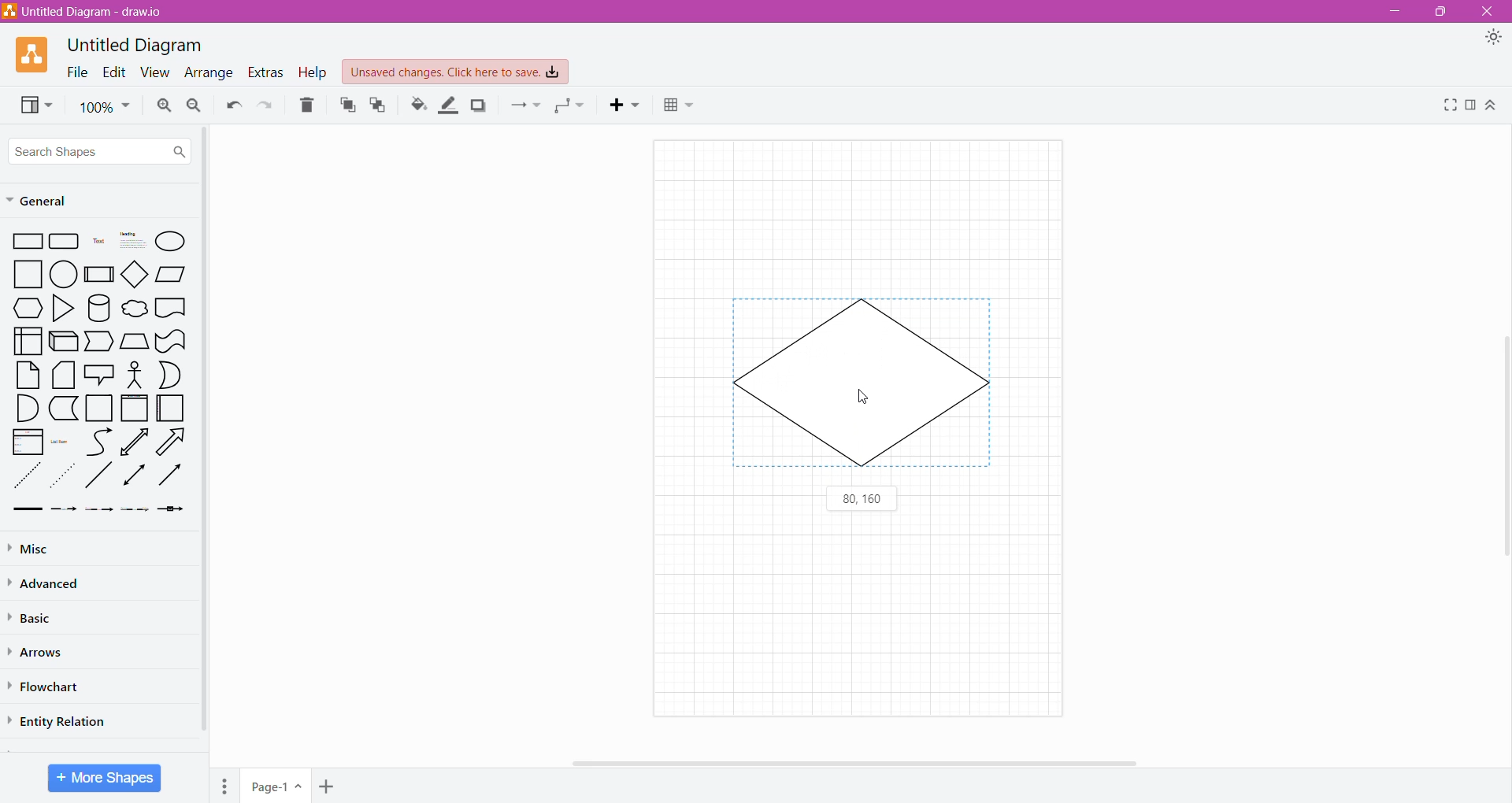 This screenshot has width=1512, height=803. I want to click on Basic, so click(35, 616).